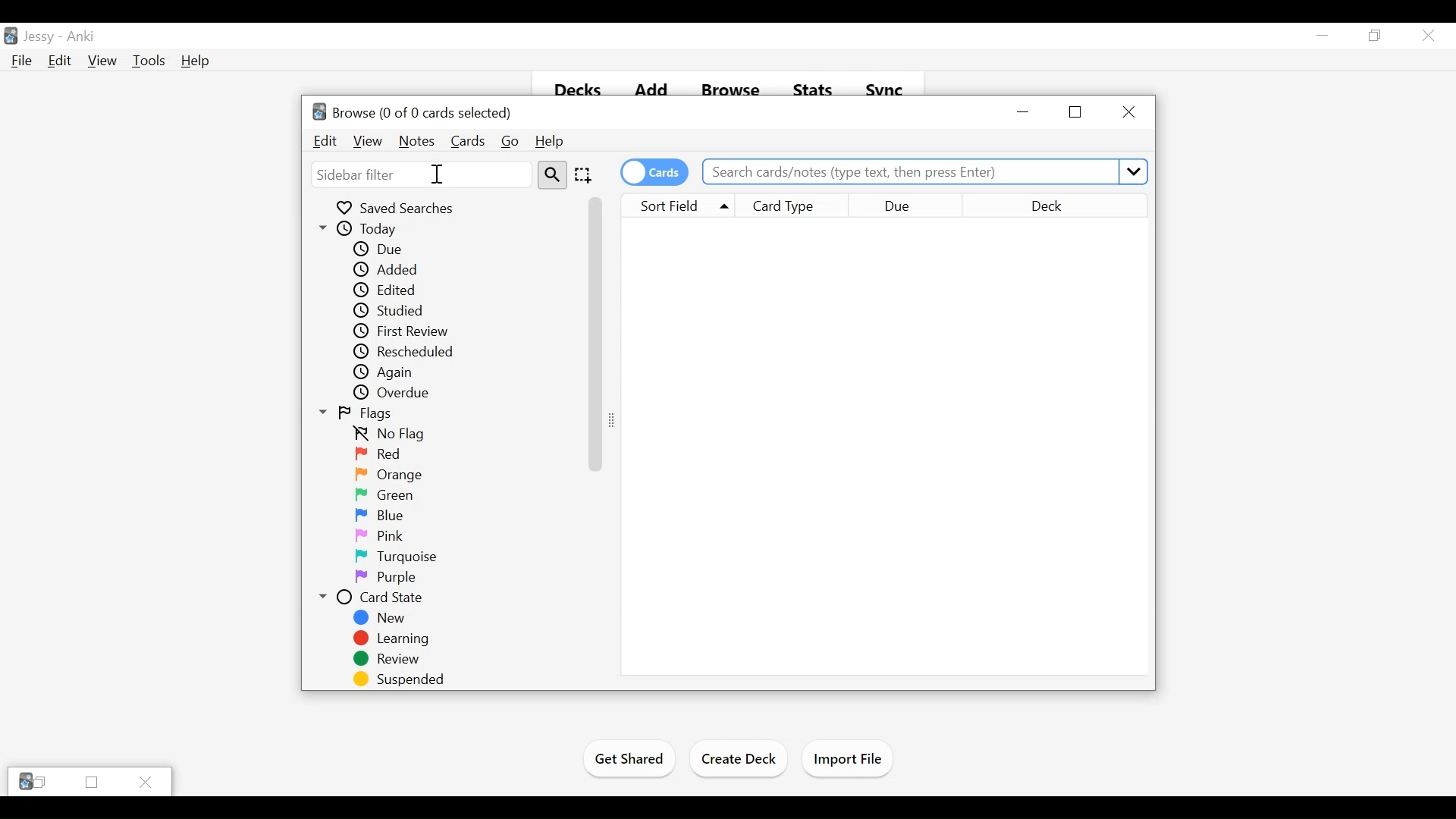 This screenshot has height=819, width=1456. I want to click on Anki Restore tabs, so click(33, 782).